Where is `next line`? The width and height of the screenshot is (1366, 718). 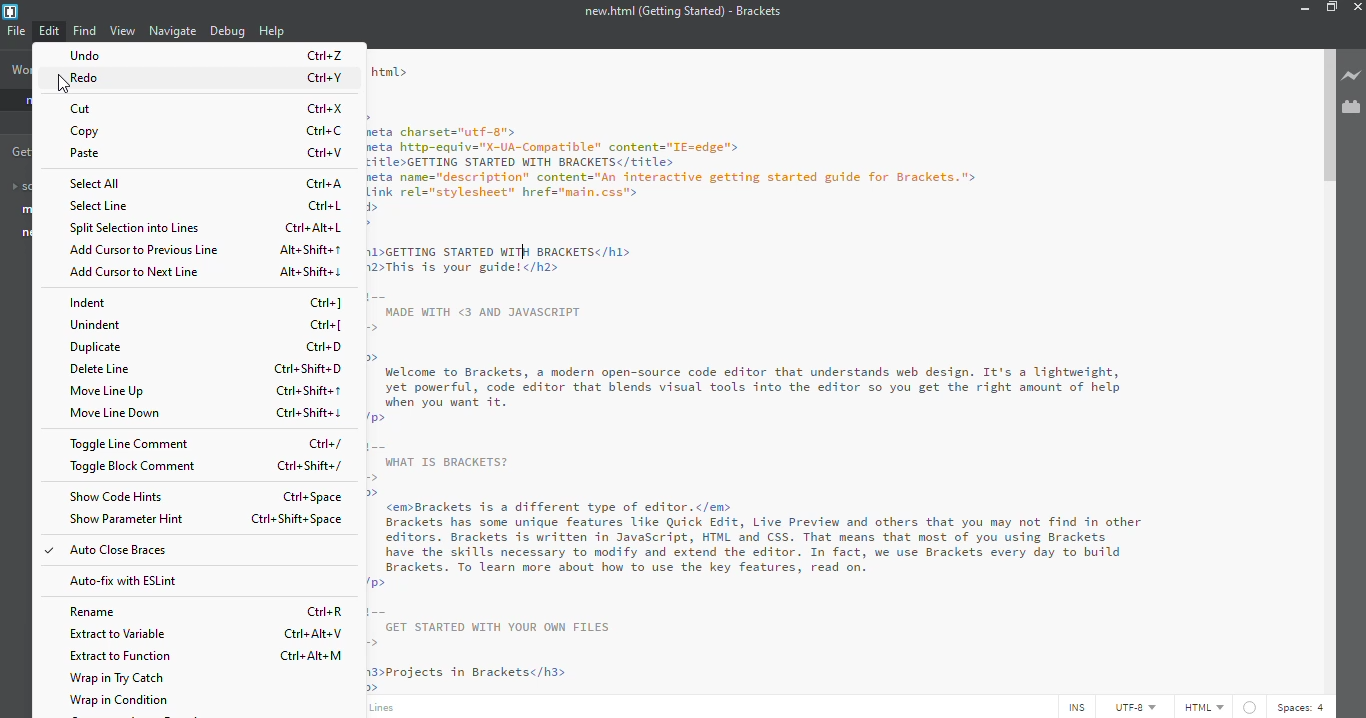
next line is located at coordinates (135, 272).